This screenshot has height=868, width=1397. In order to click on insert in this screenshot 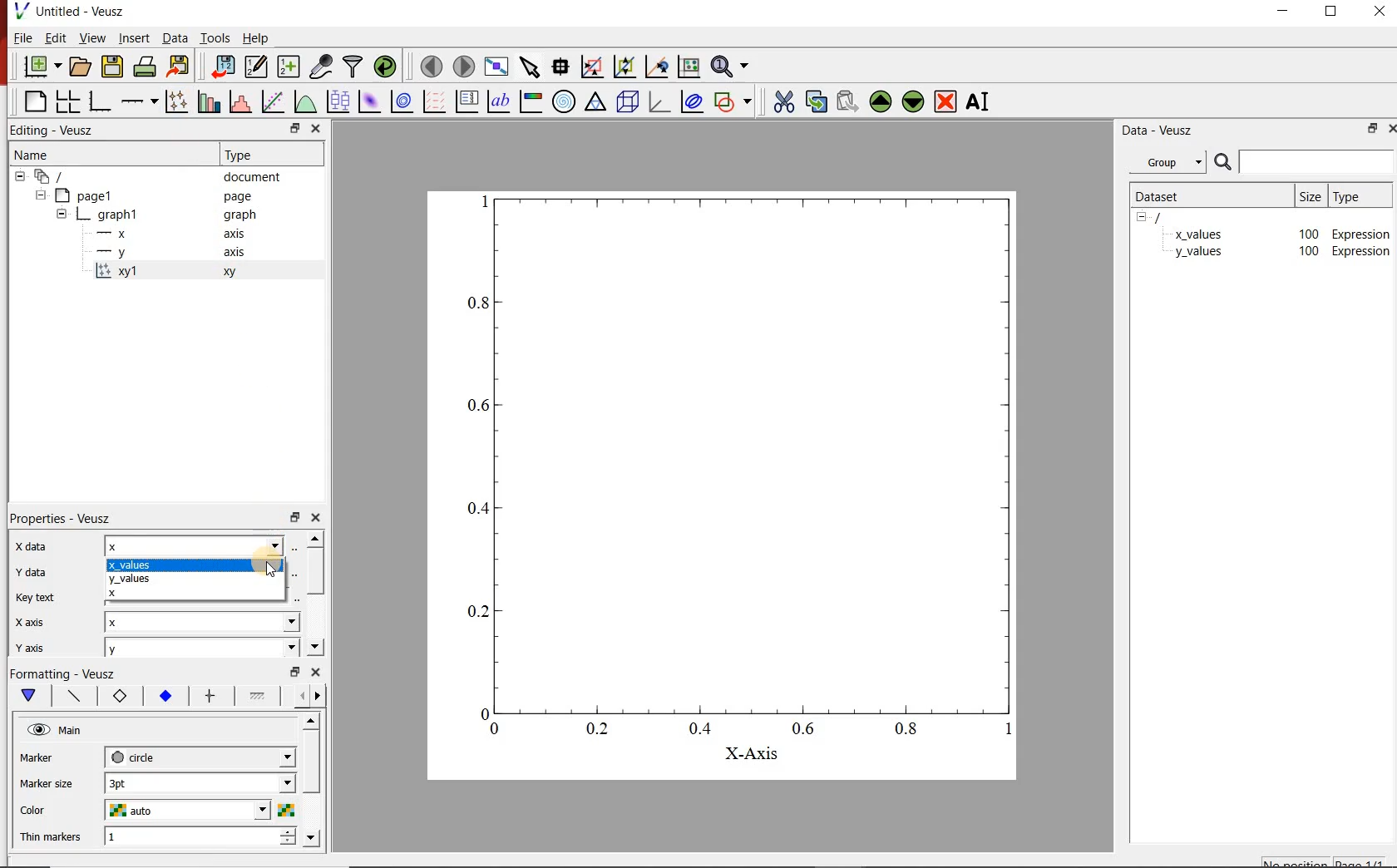, I will do `click(134, 37)`.